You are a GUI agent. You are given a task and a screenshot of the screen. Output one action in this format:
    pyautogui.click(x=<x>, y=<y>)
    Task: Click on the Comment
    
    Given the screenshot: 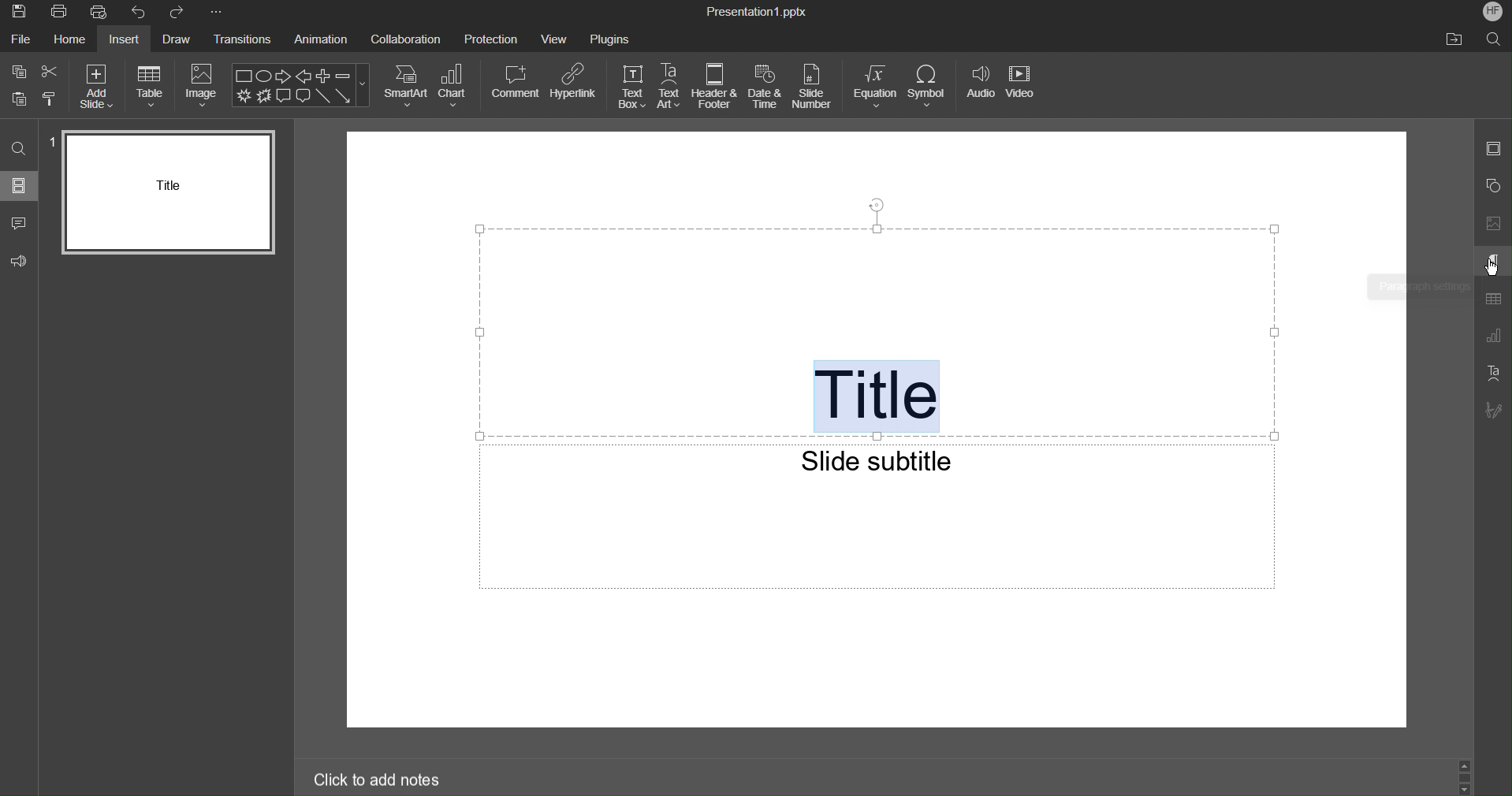 What is the action you would take?
    pyautogui.click(x=19, y=222)
    